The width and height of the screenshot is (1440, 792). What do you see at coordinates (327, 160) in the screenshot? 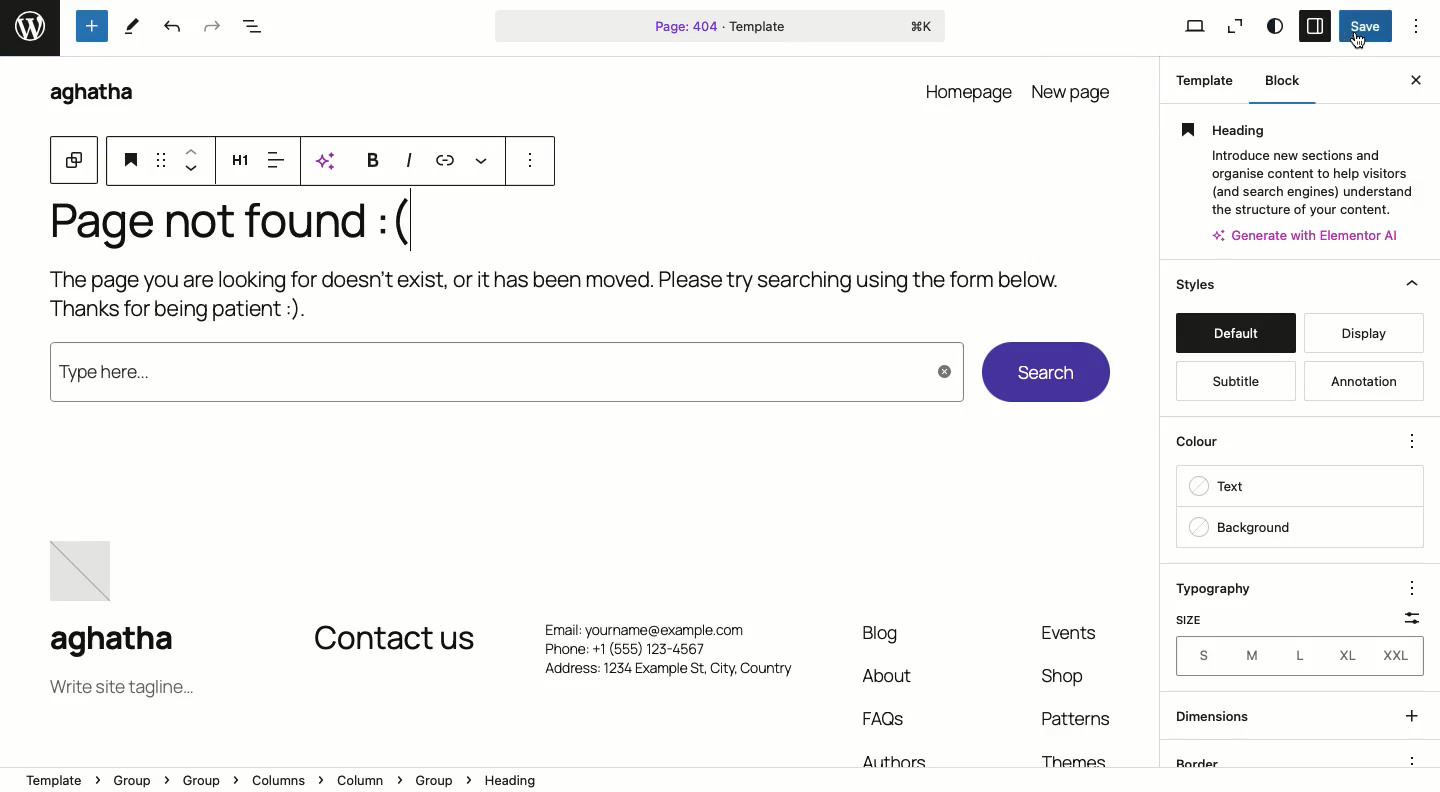
I see `AI` at bounding box center [327, 160].